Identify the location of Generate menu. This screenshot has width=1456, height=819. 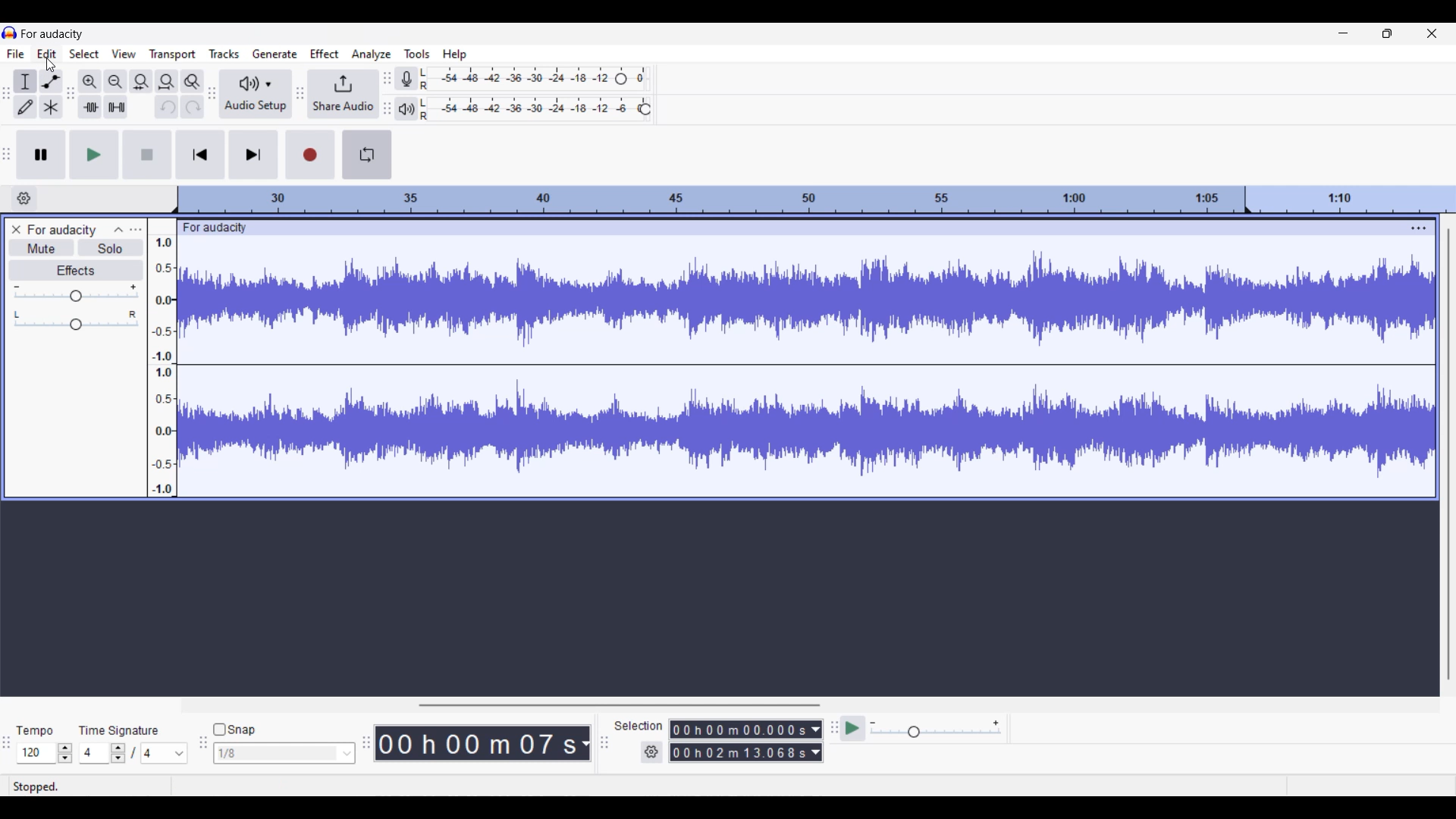
(275, 54).